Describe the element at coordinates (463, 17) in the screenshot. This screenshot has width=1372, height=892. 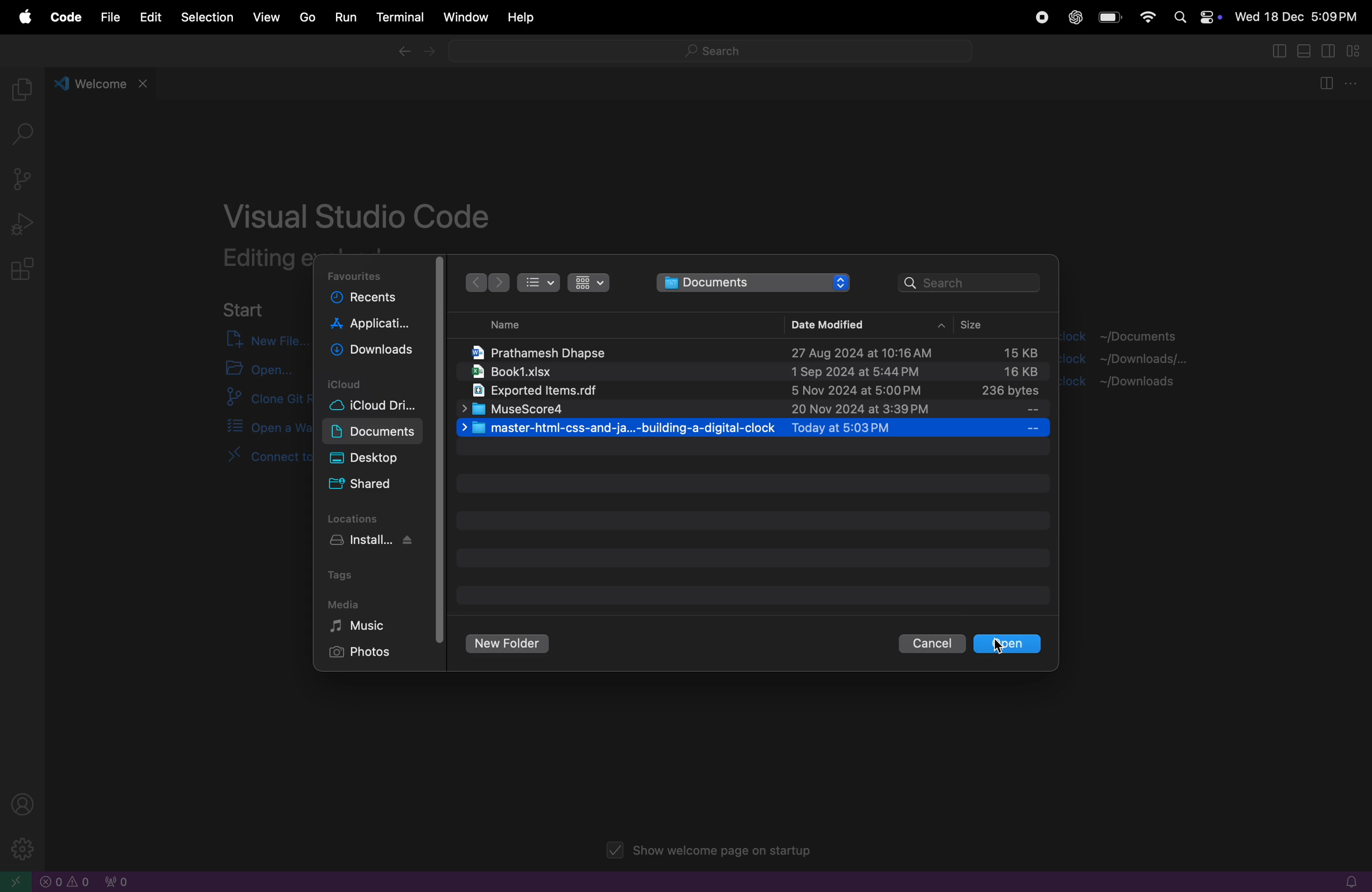
I see `window` at that location.